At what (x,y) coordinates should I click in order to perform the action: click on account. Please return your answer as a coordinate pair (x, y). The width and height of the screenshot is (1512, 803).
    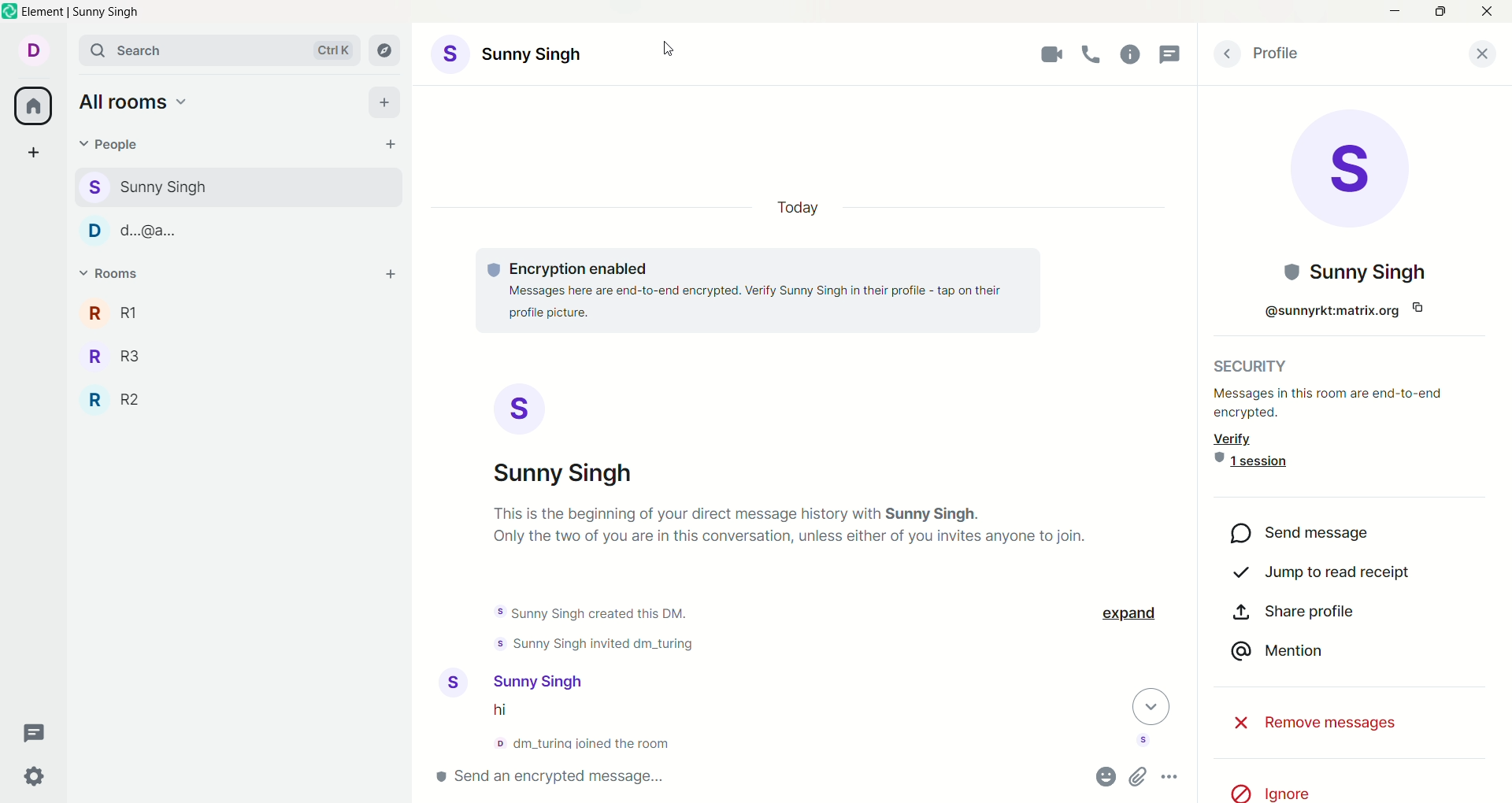
    Looking at the image, I should click on (571, 435).